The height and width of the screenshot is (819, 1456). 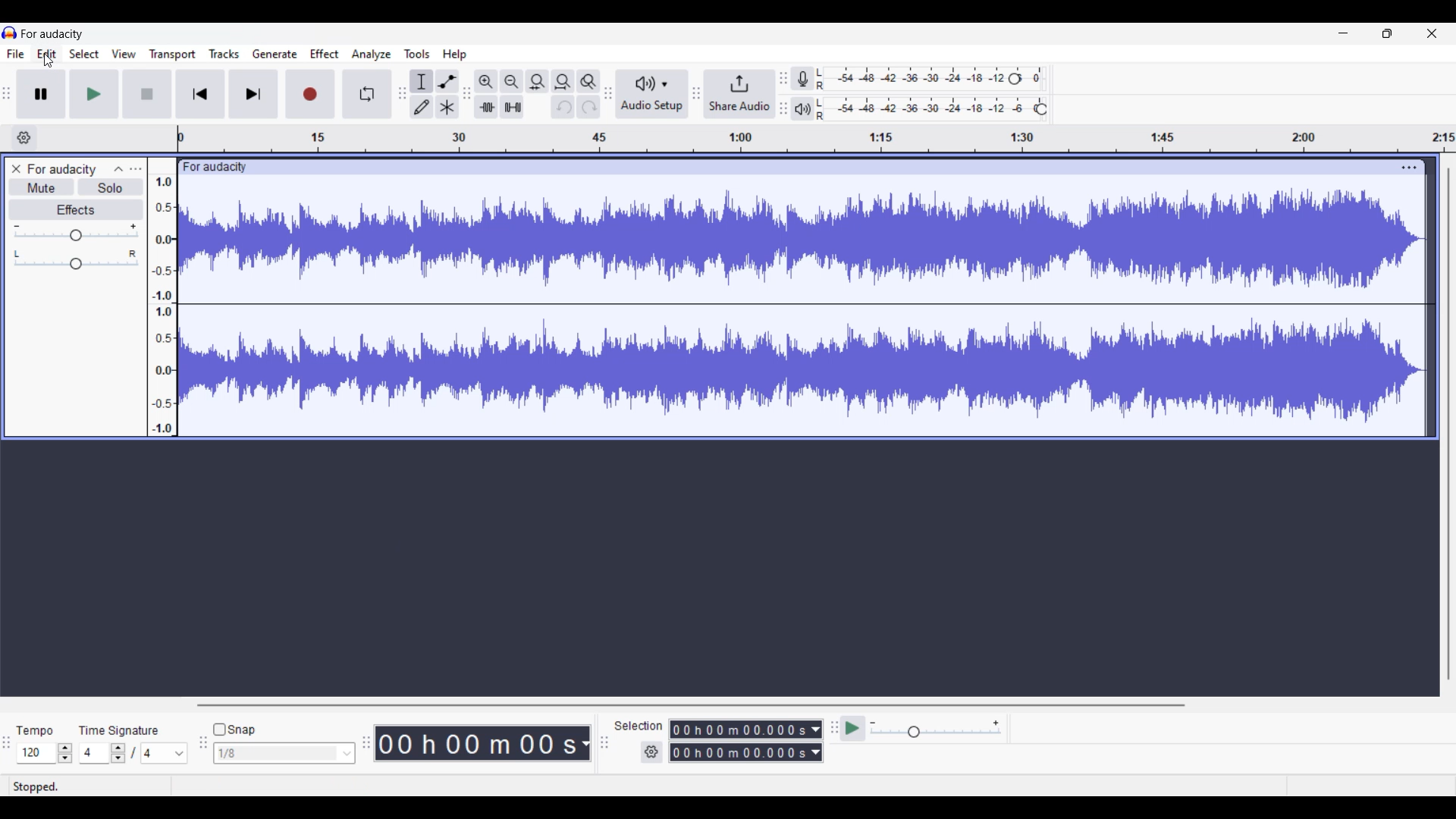 What do you see at coordinates (416, 54) in the screenshot?
I see `Tools menu` at bounding box center [416, 54].